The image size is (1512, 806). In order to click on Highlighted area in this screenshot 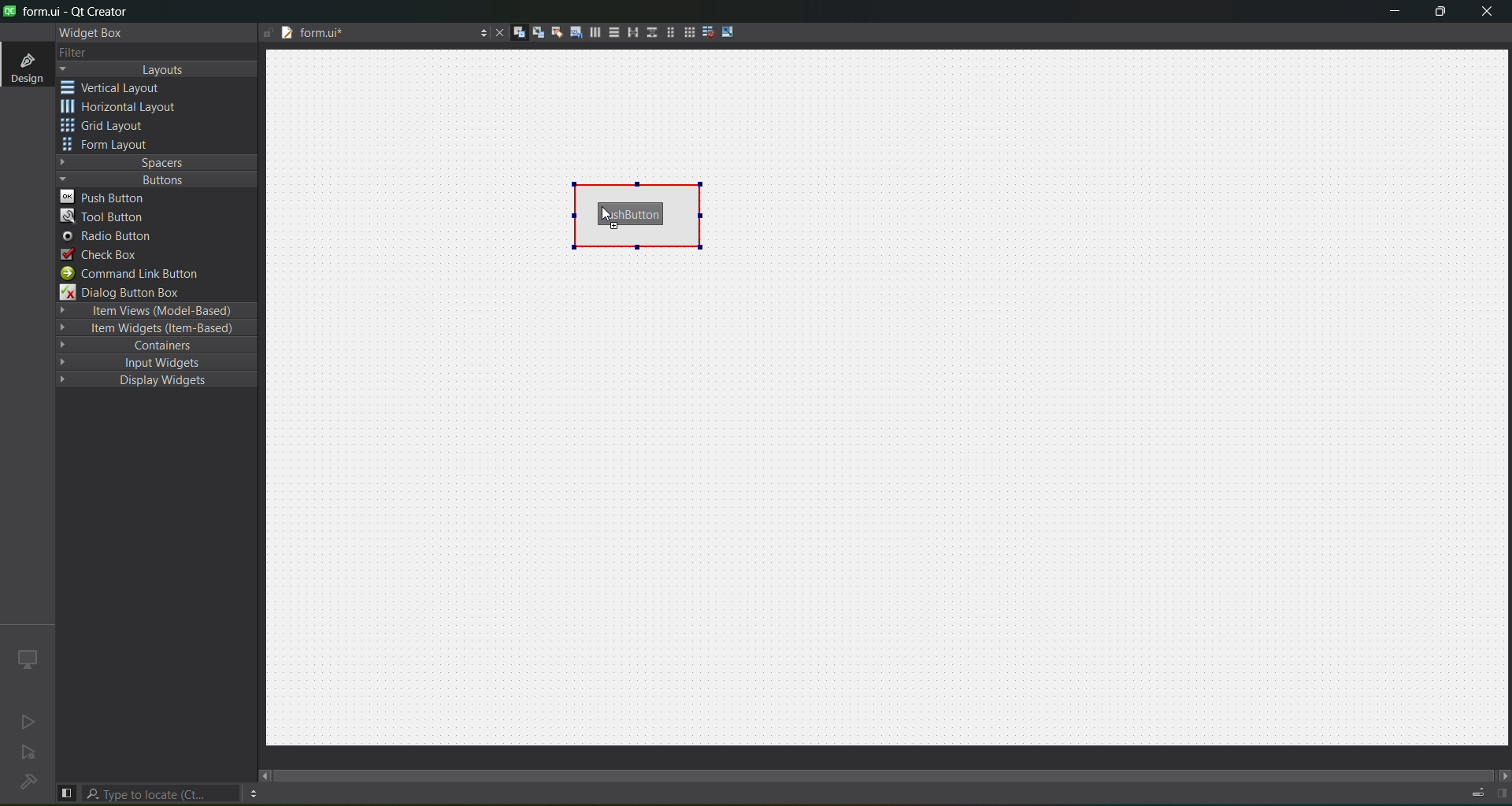, I will do `click(639, 213)`.